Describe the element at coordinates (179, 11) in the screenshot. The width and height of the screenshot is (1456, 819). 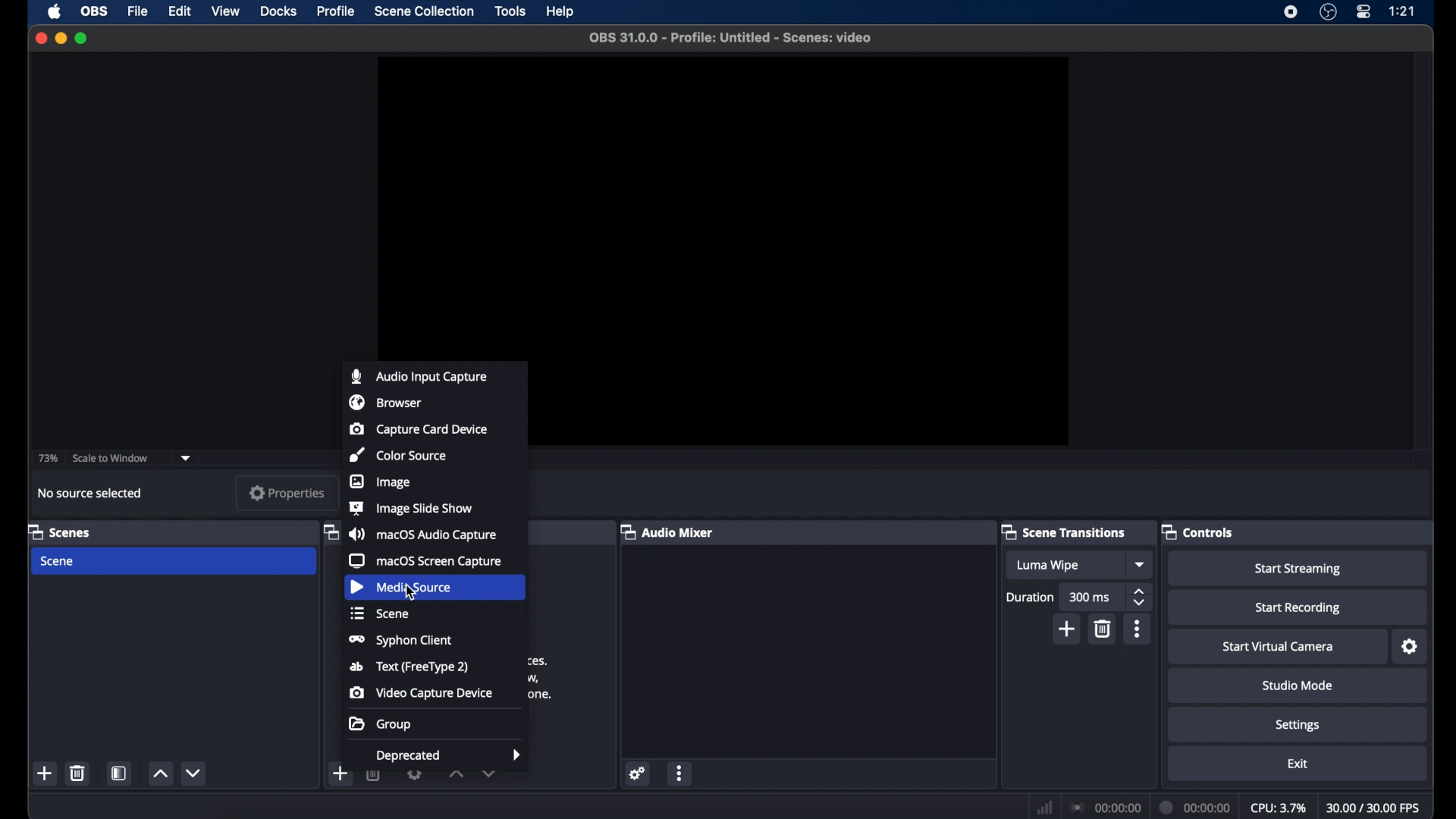
I see `edit` at that location.